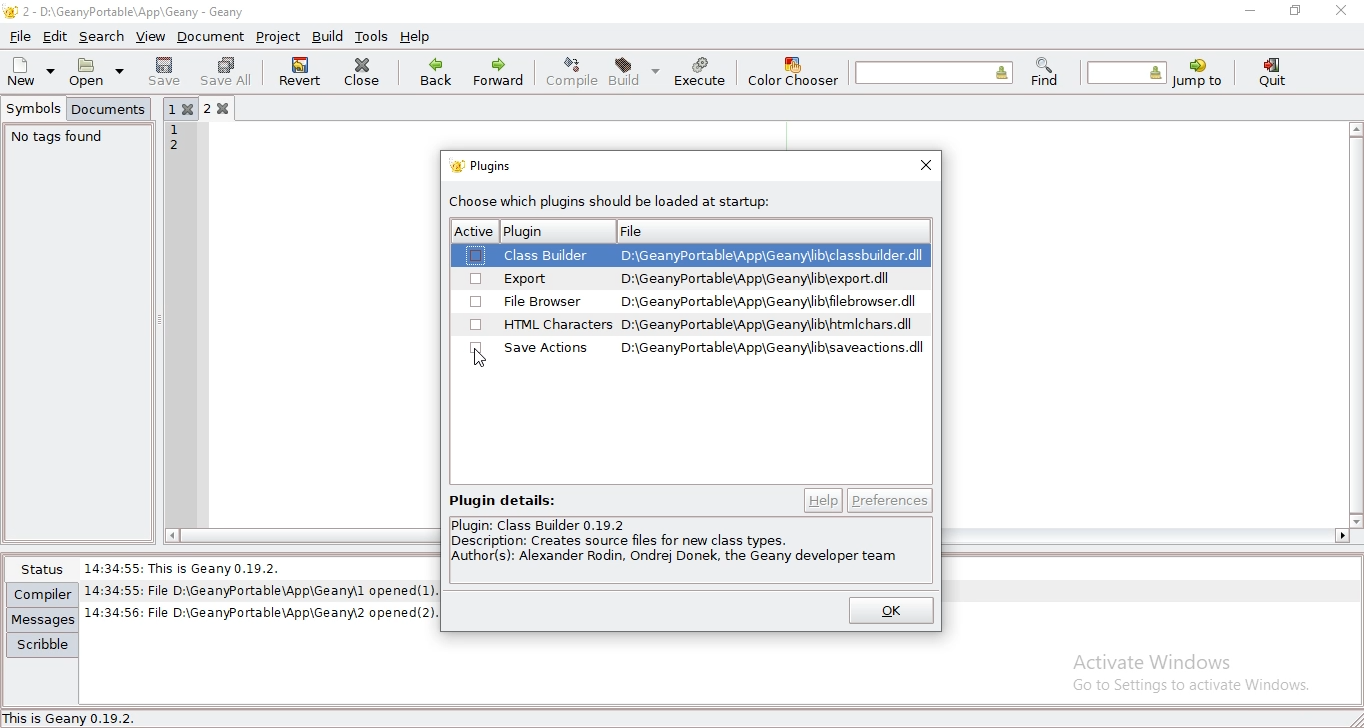 This screenshot has height=728, width=1364. What do you see at coordinates (692, 327) in the screenshot?
I see `HTML Characters D:\GeanyPortable\App\GeanyWib\ntmichars.dll` at bounding box center [692, 327].